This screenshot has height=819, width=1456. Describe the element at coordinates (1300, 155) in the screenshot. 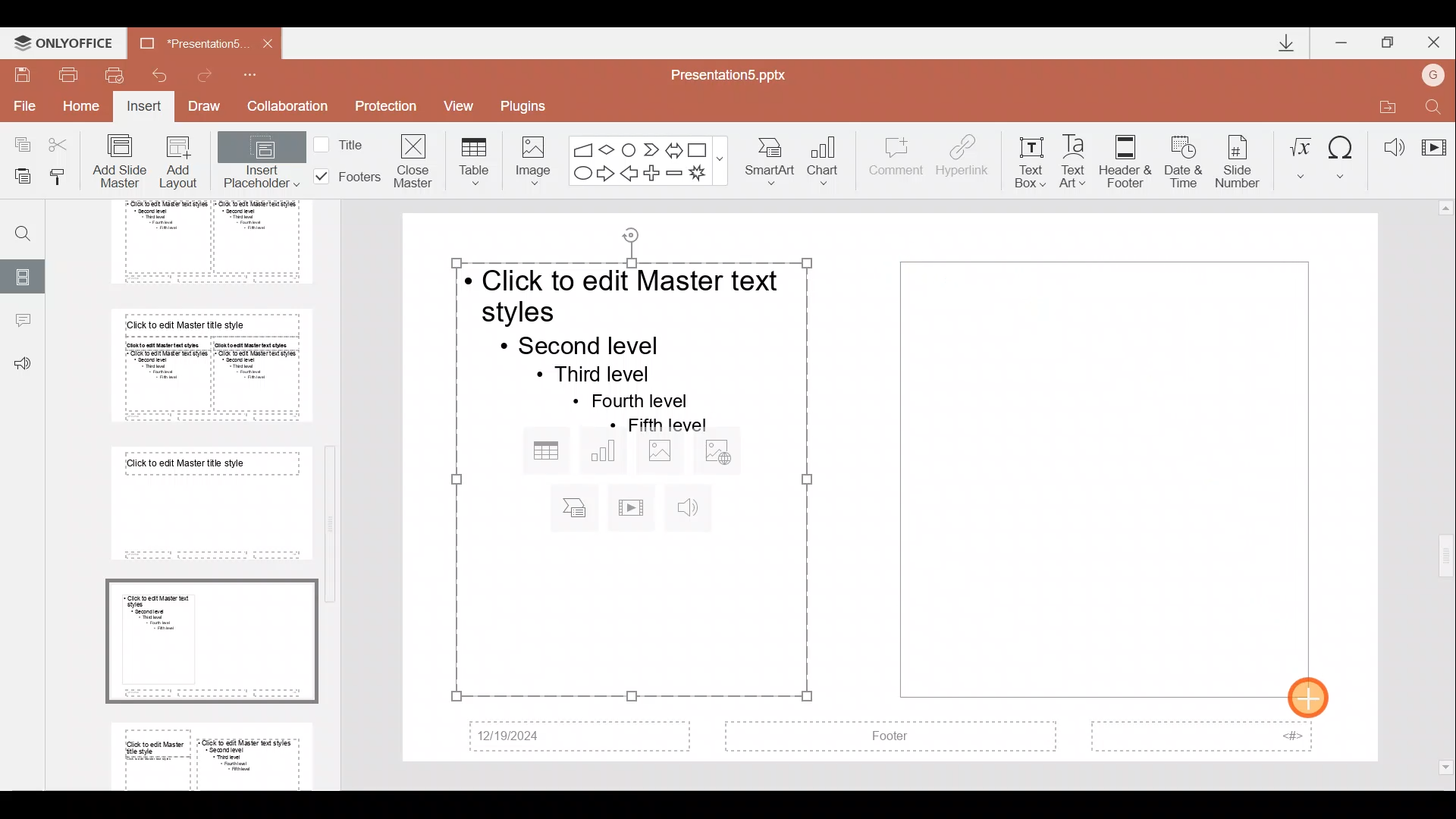

I see `Equation` at that location.